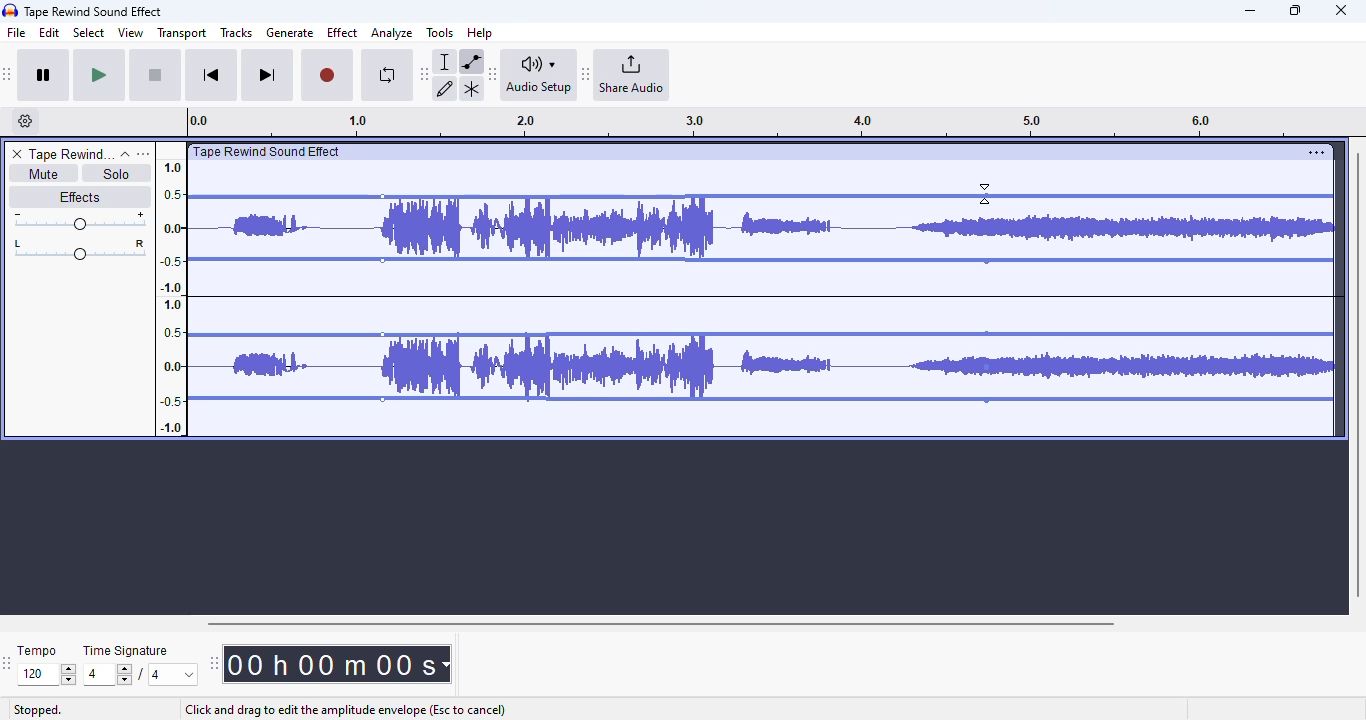 This screenshot has width=1366, height=720. What do you see at coordinates (987, 195) in the screenshot?
I see `Control point` at bounding box center [987, 195].